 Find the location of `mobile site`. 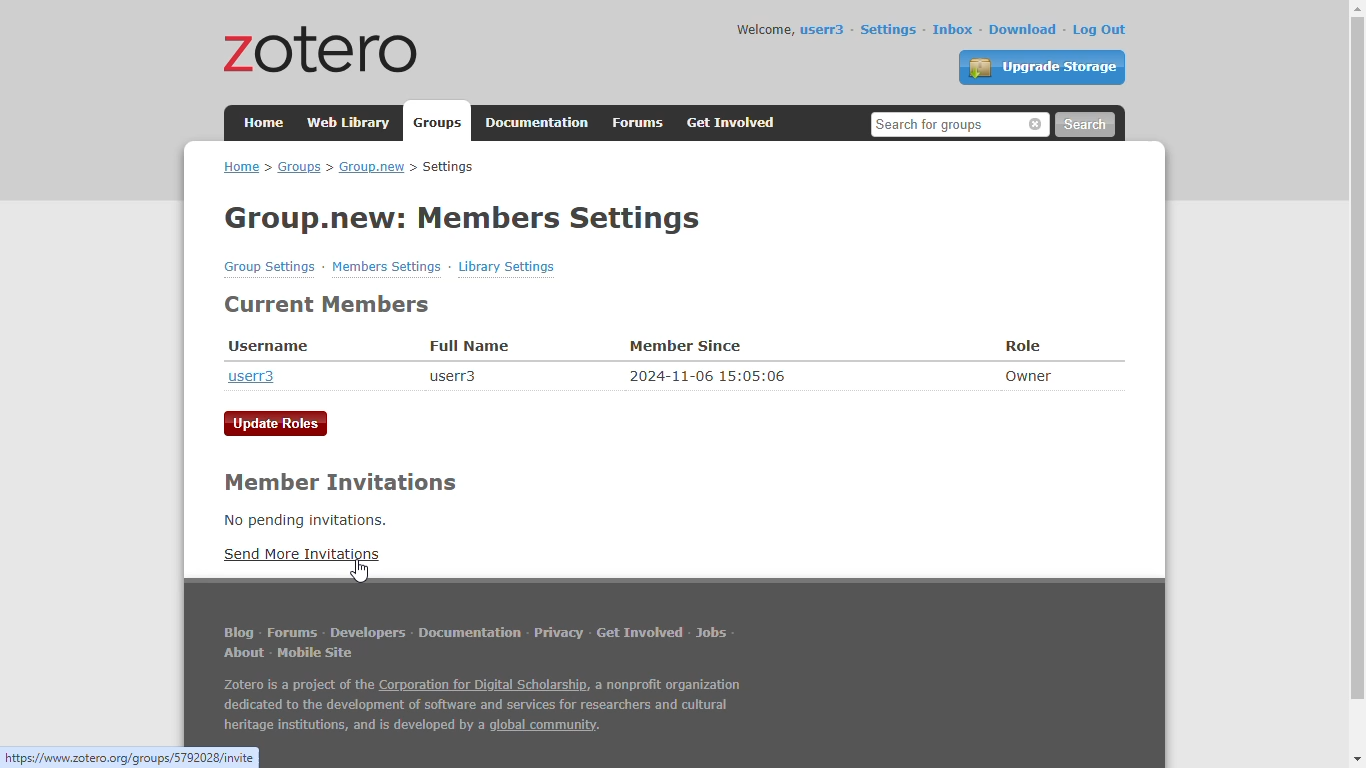

mobile site is located at coordinates (314, 653).